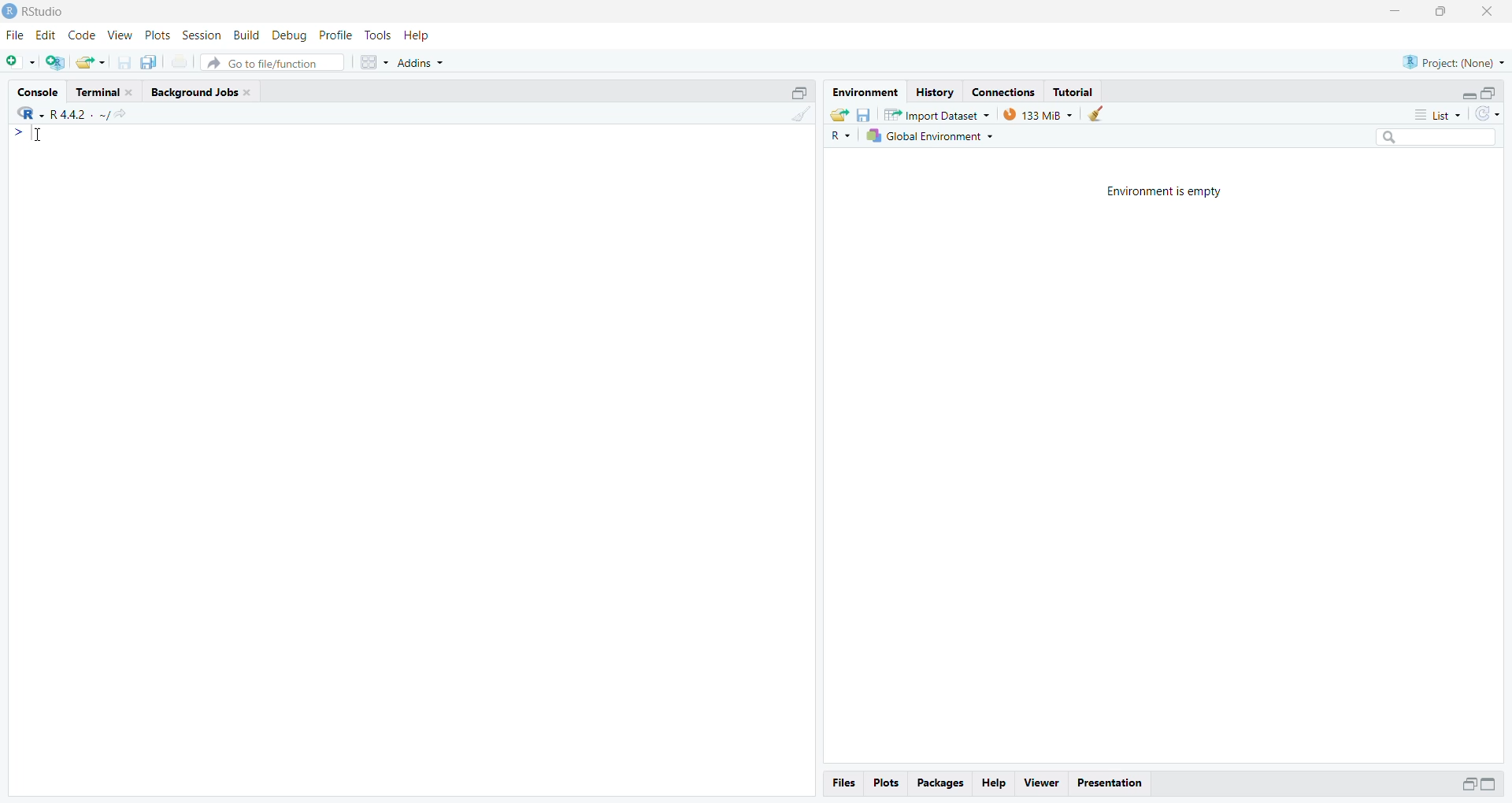 Image resolution: width=1512 pixels, height=803 pixels. I want to click on Terminal, so click(102, 92).